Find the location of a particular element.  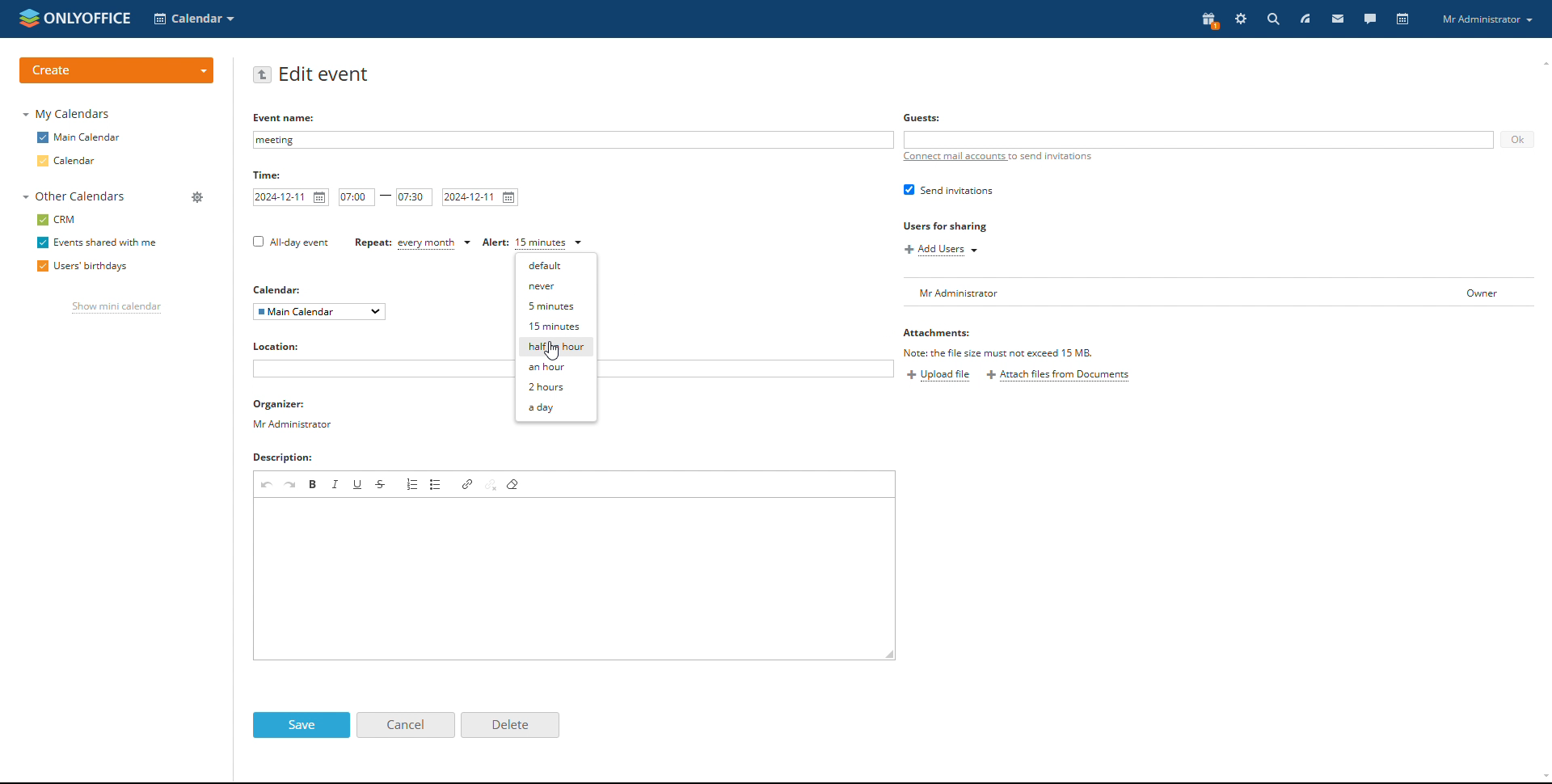

send invitations is located at coordinates (947, 191).